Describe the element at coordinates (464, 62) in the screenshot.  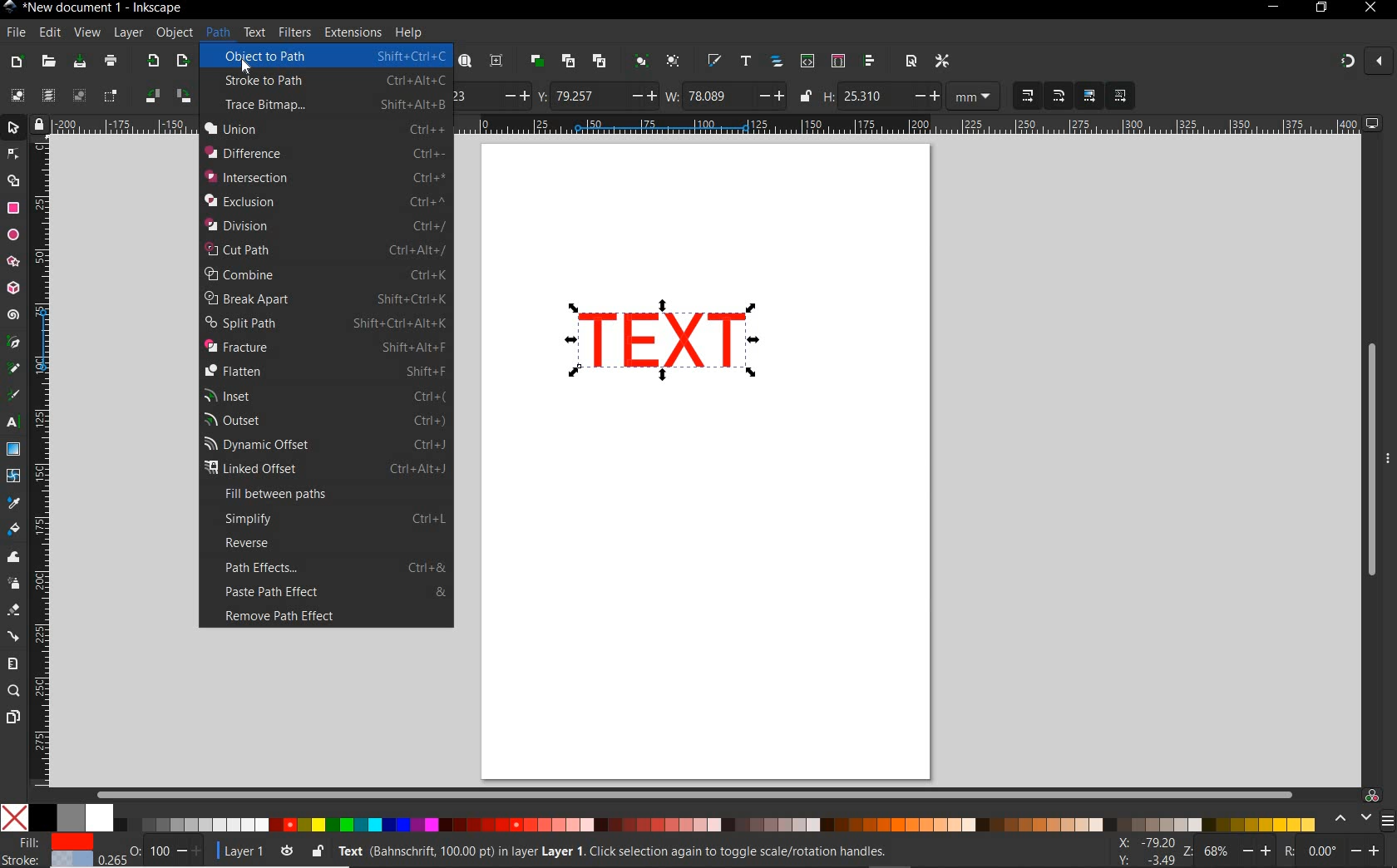
I see `ZOOM PAGE` at that location.